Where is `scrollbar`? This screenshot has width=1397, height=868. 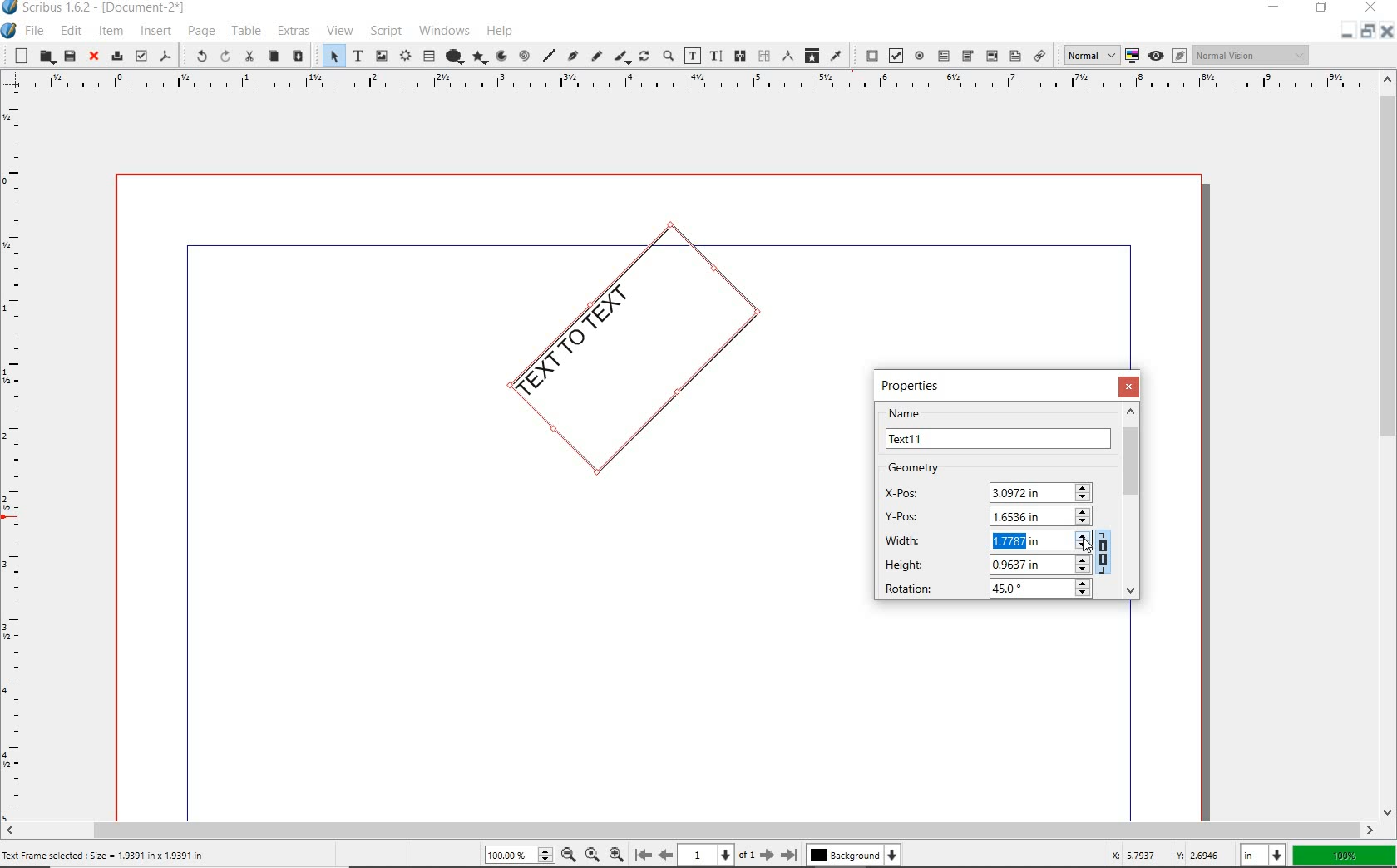
scrollbar is located at coordinates (689, 831).